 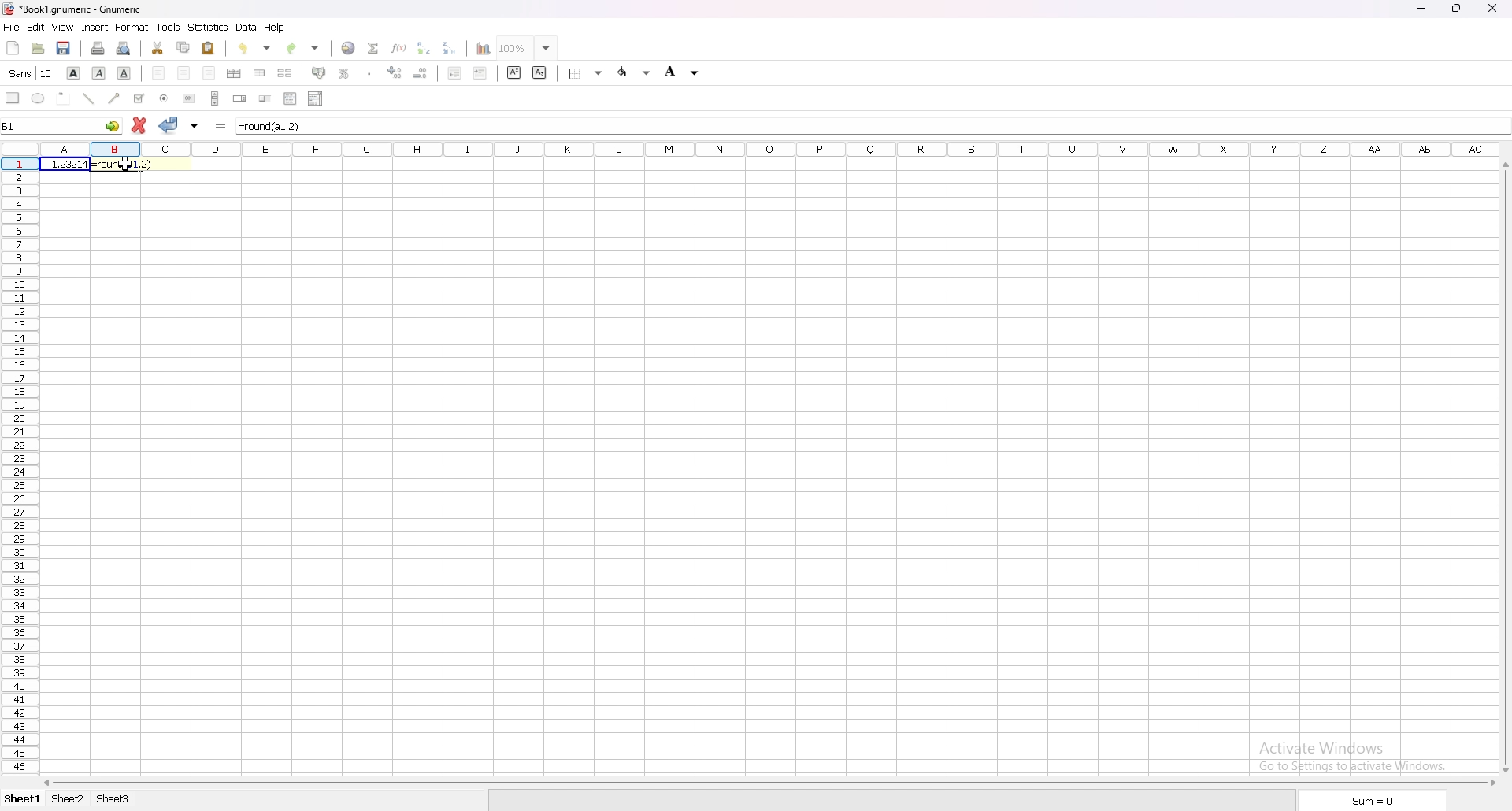 I want to click on hyperlink, so click(x=349, y=48).